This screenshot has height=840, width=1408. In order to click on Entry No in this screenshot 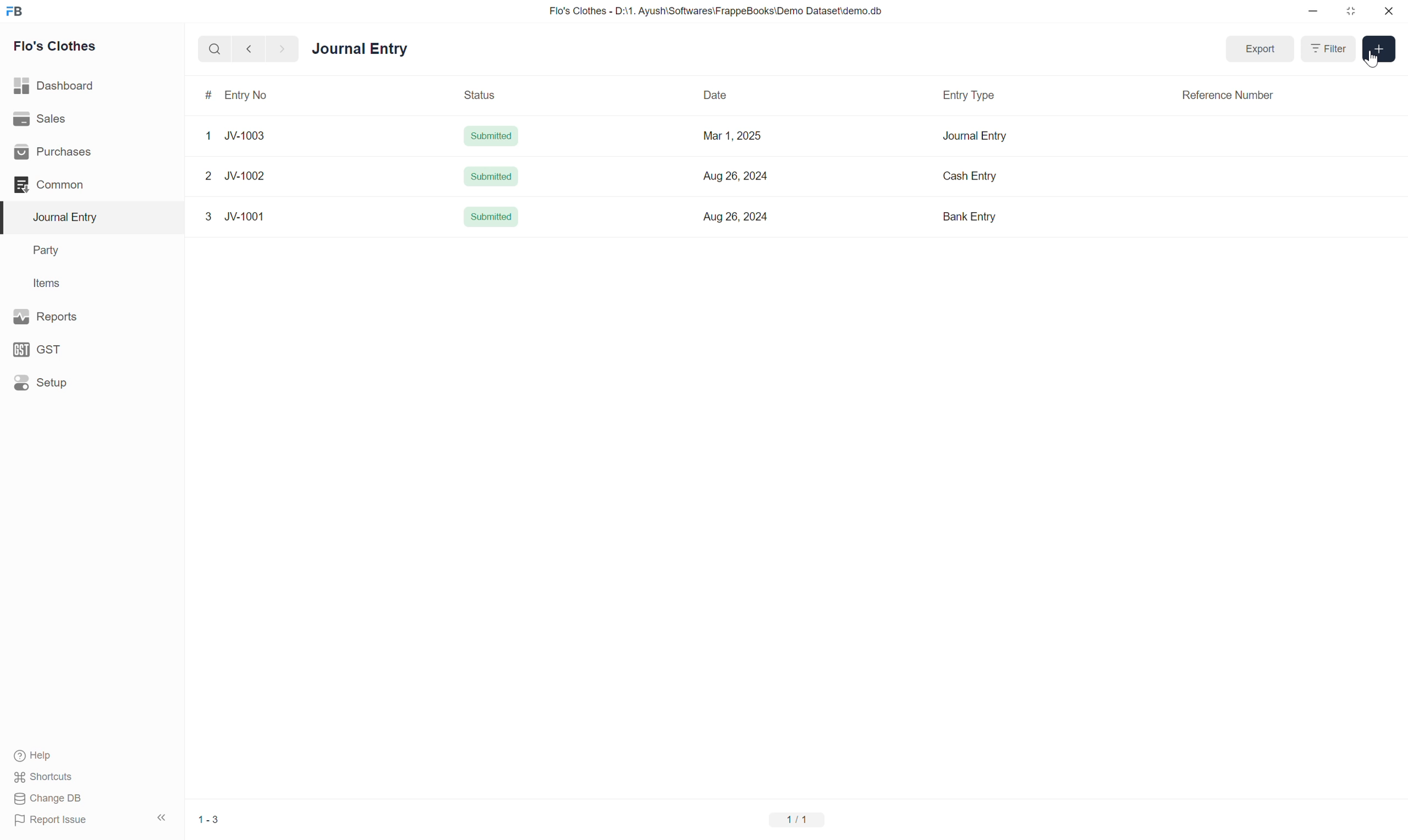, I will do `click(247, 95)`.